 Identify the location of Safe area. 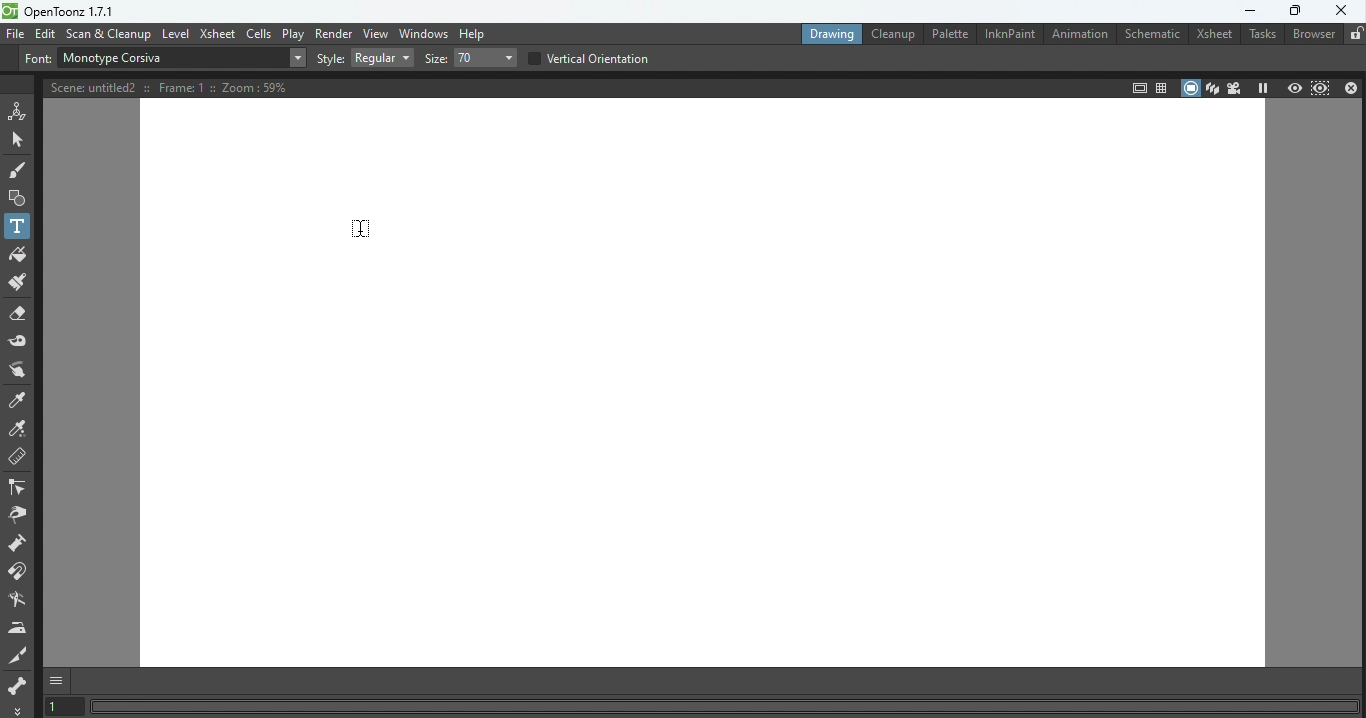
(1139, 85).